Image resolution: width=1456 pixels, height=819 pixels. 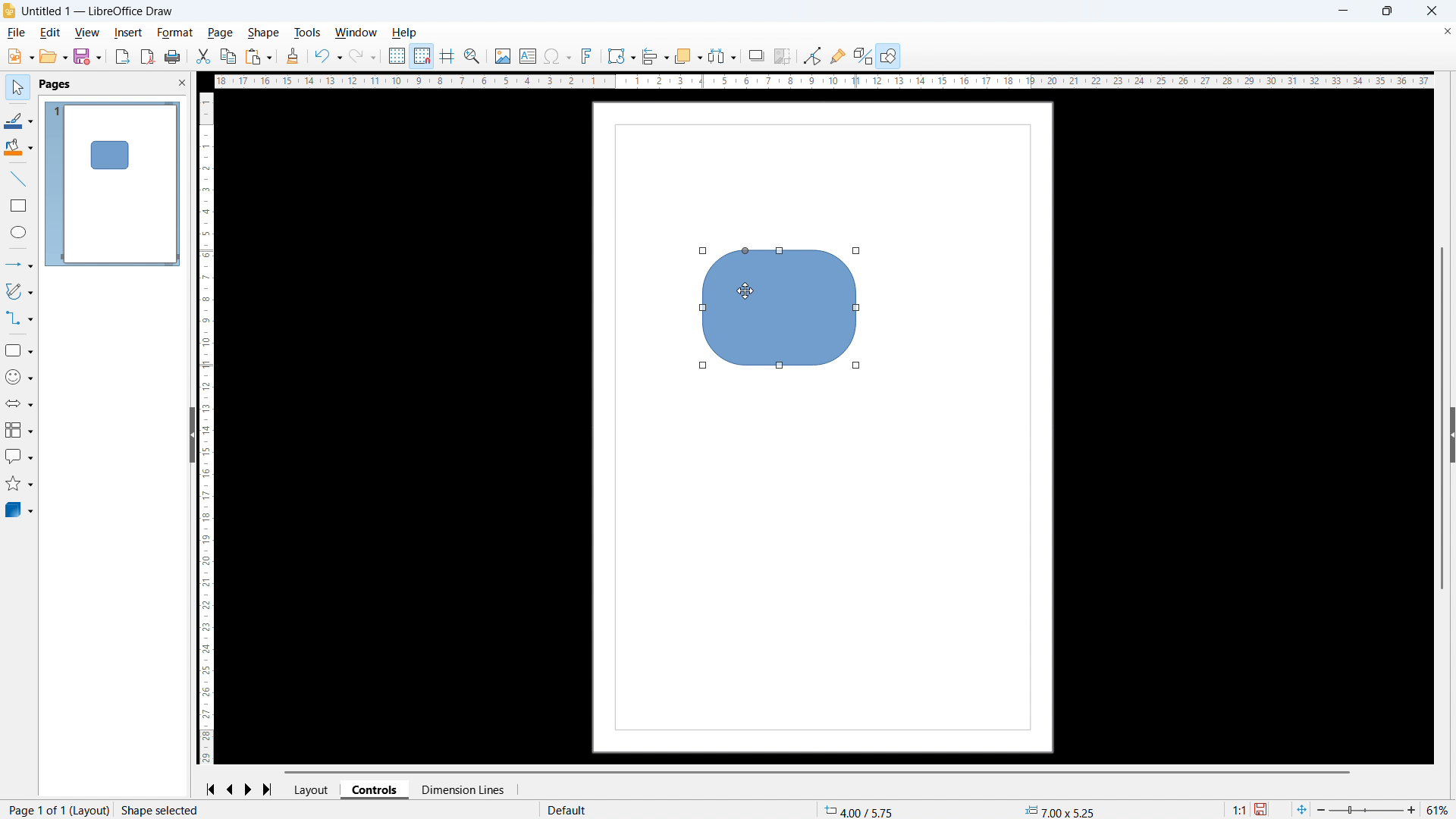 I want to click on Horizontal ruler , so click(x=819, y=81).